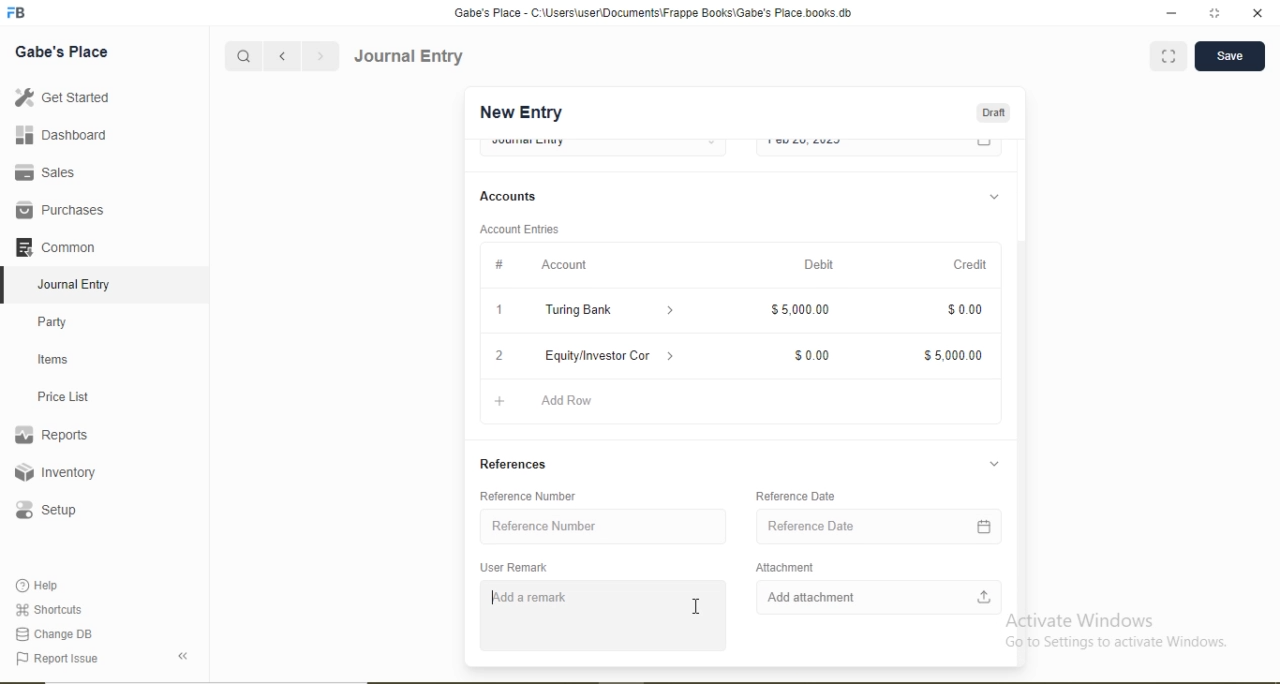 The height and width of the screenshot is (684, 1280). What do you see at coordinates (39, 585) in the screenshot?
I see `Help` at bounding box center [39, 585].